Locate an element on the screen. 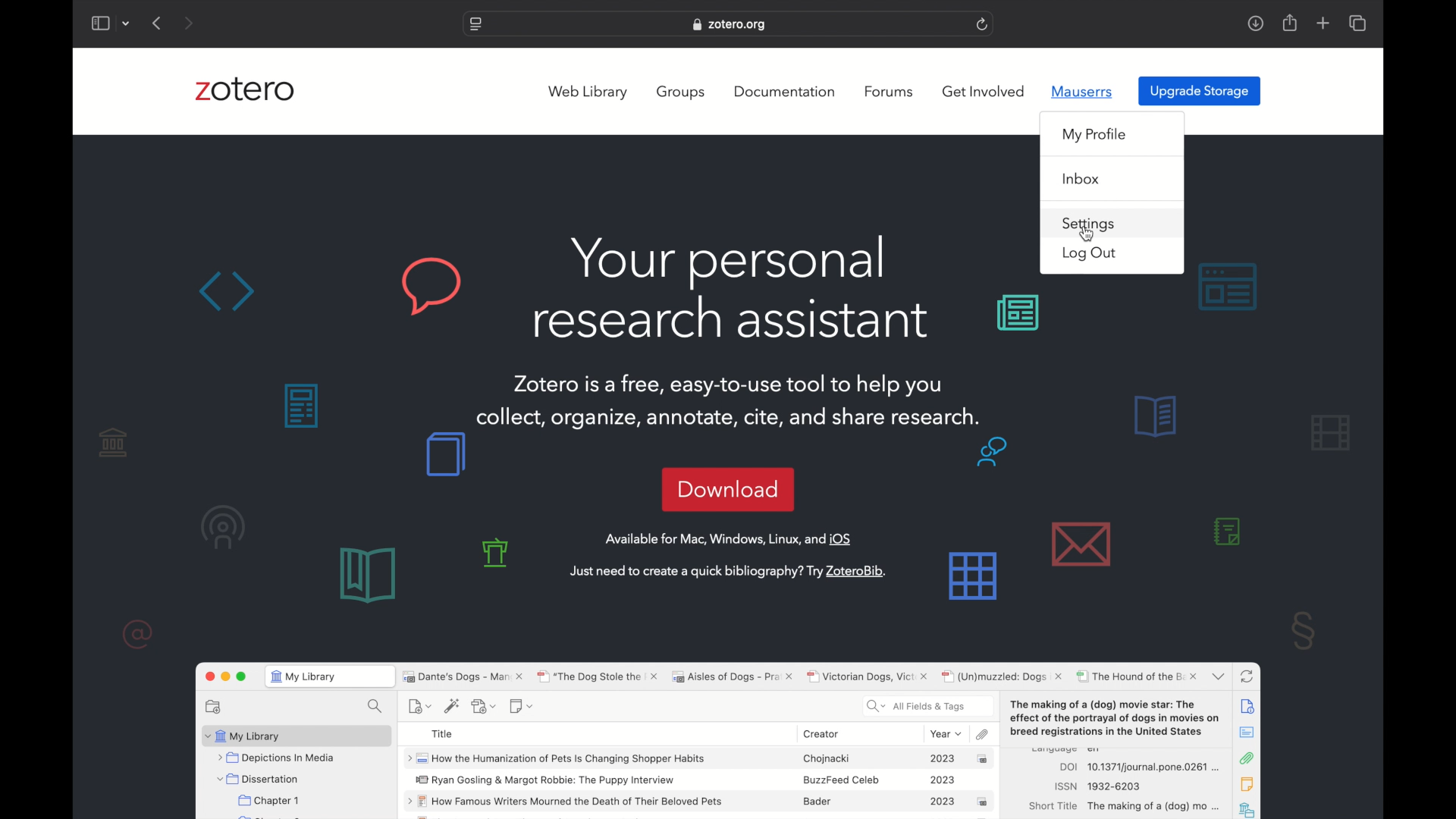  forums is located at coordinates (890, 92).